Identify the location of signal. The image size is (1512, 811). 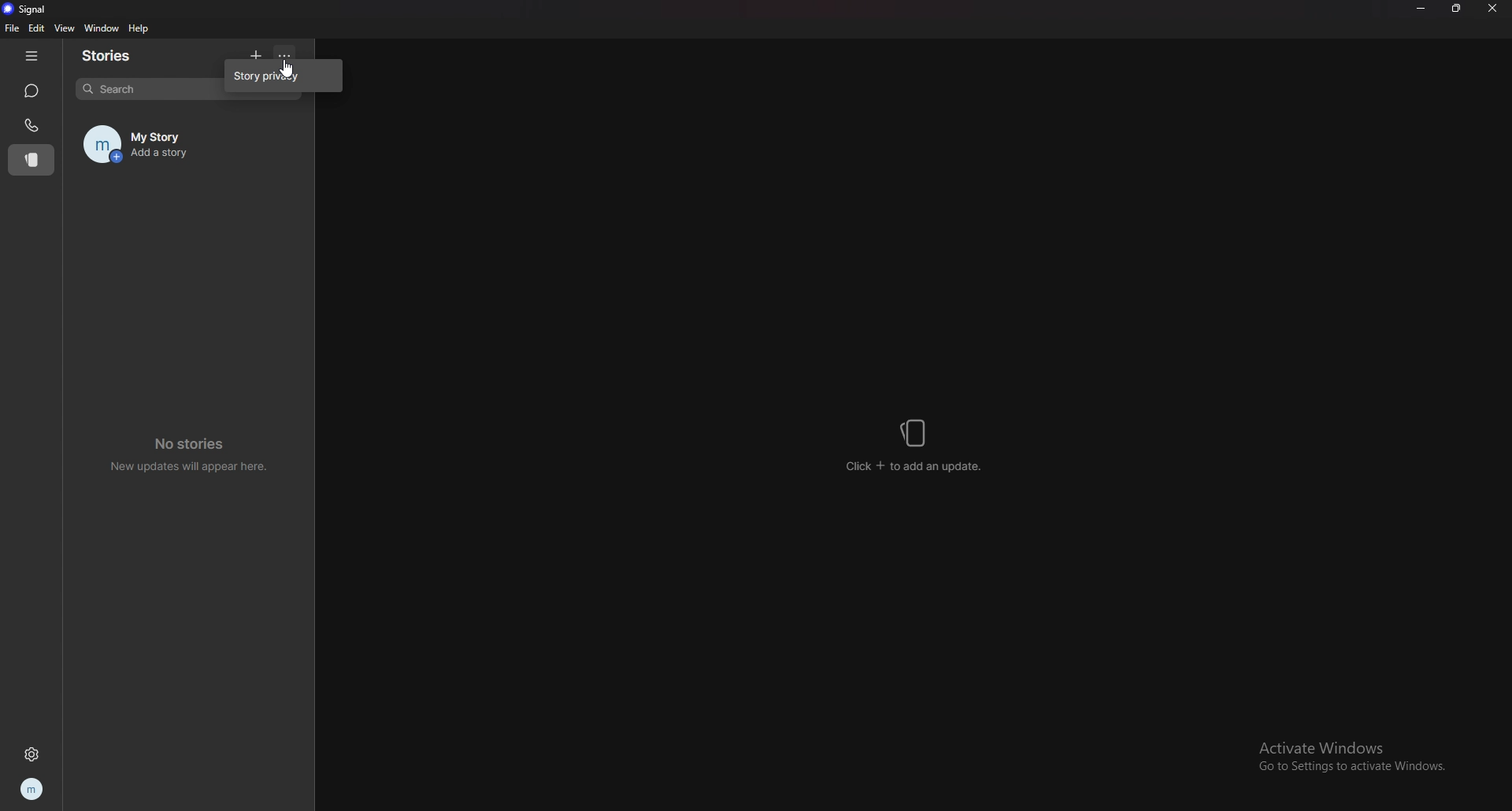
(28, 9).